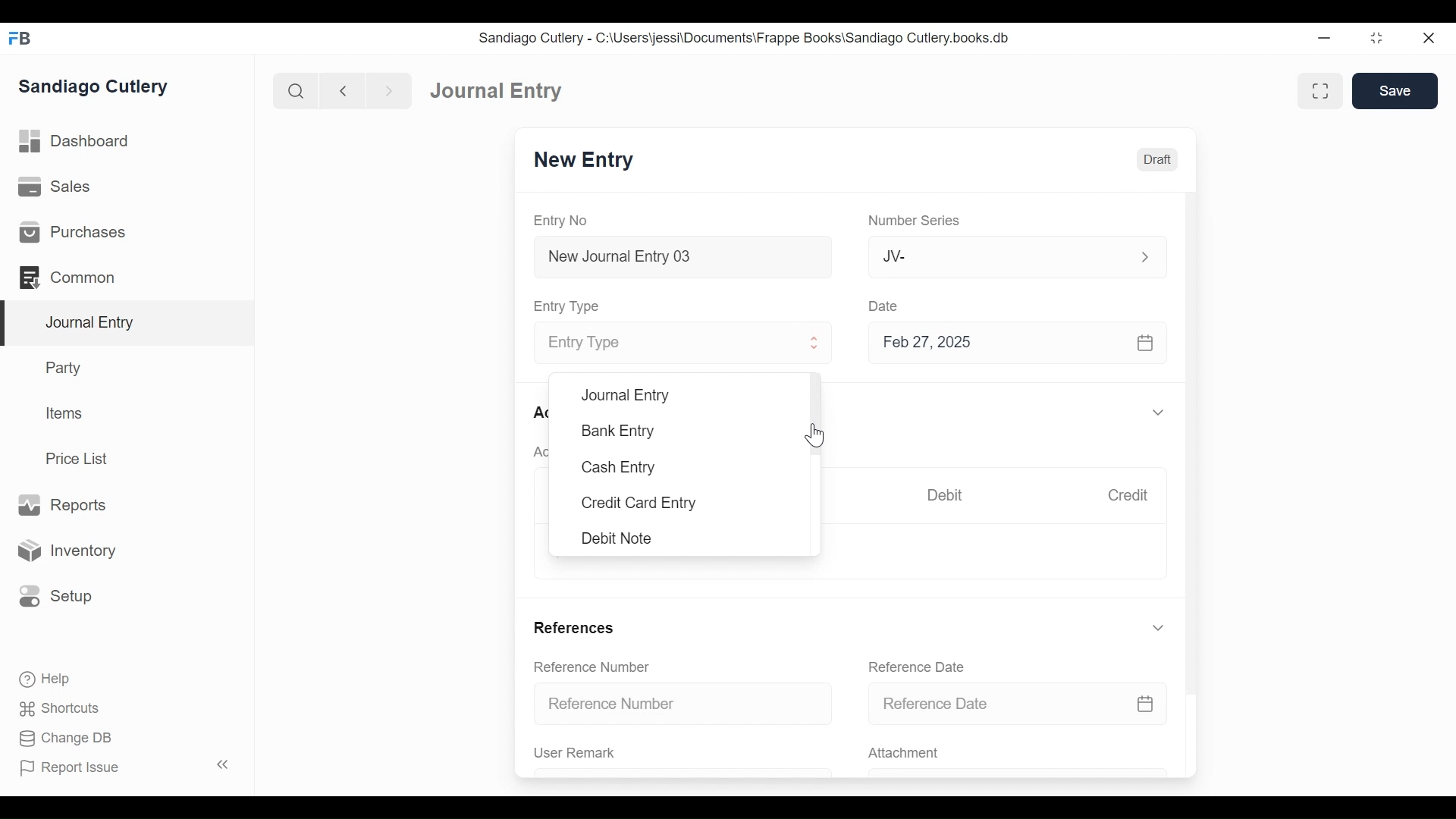 The height and width of the screenshot is (819, 1456). I want to click on User Remark, so click(584, 754).